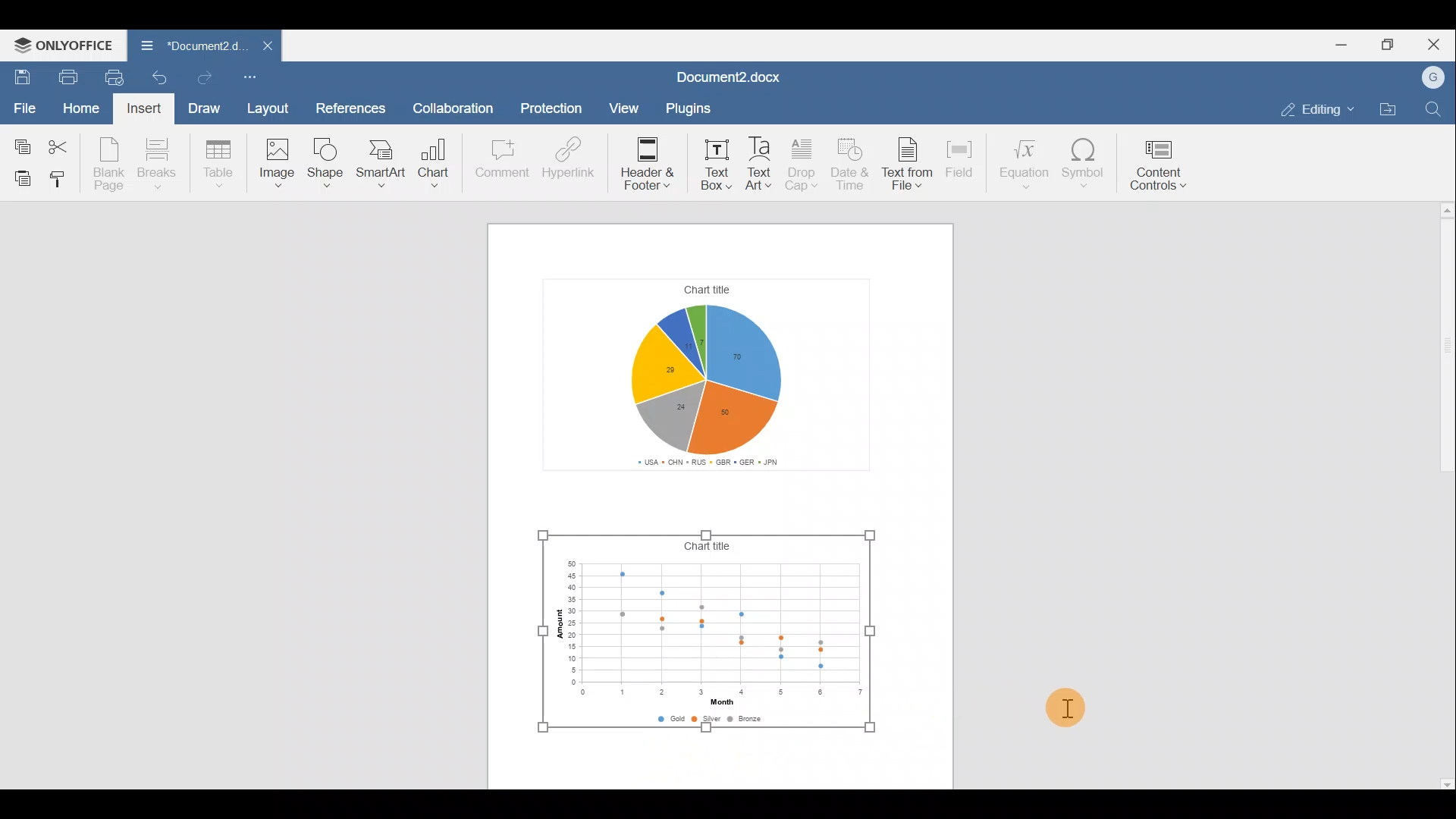 This screenshot has width=1456, height=819. Describe the element at coordinates (22, 145) in the screenshot. I see `Copy` at that location.